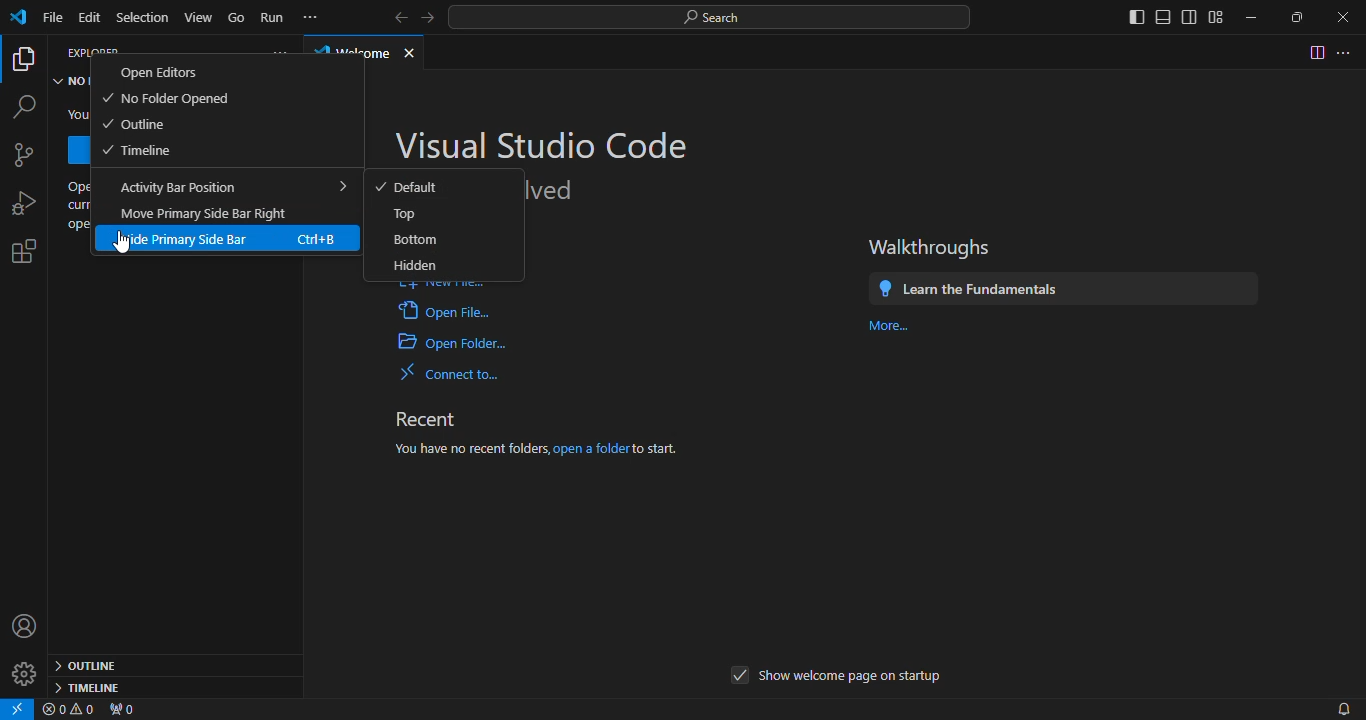  Describe the element at coordinates (23, 255) in the screenshot. I see `settings` at that location.